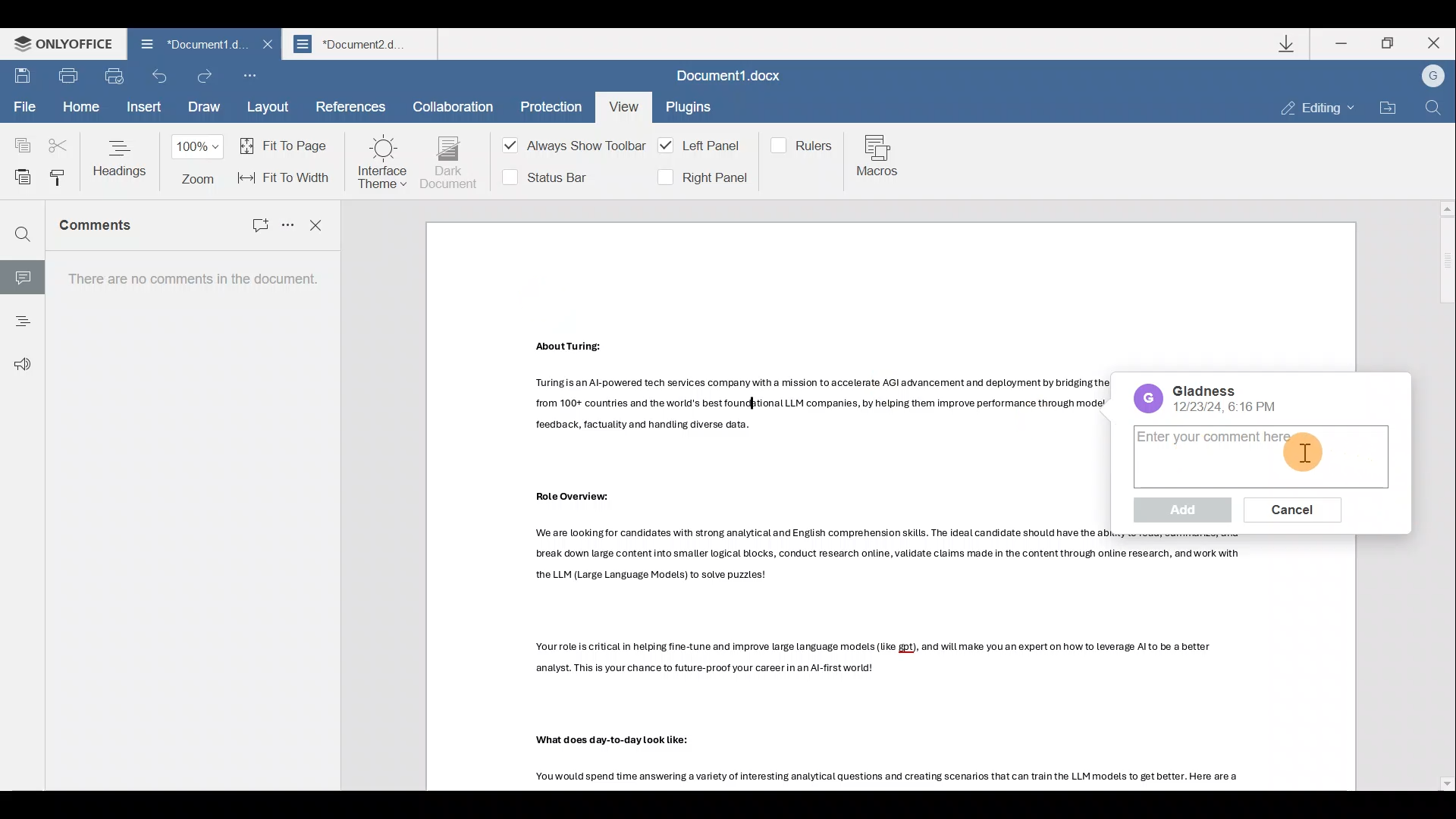  I want to click on There are no comments in the document, so click(187, 521).